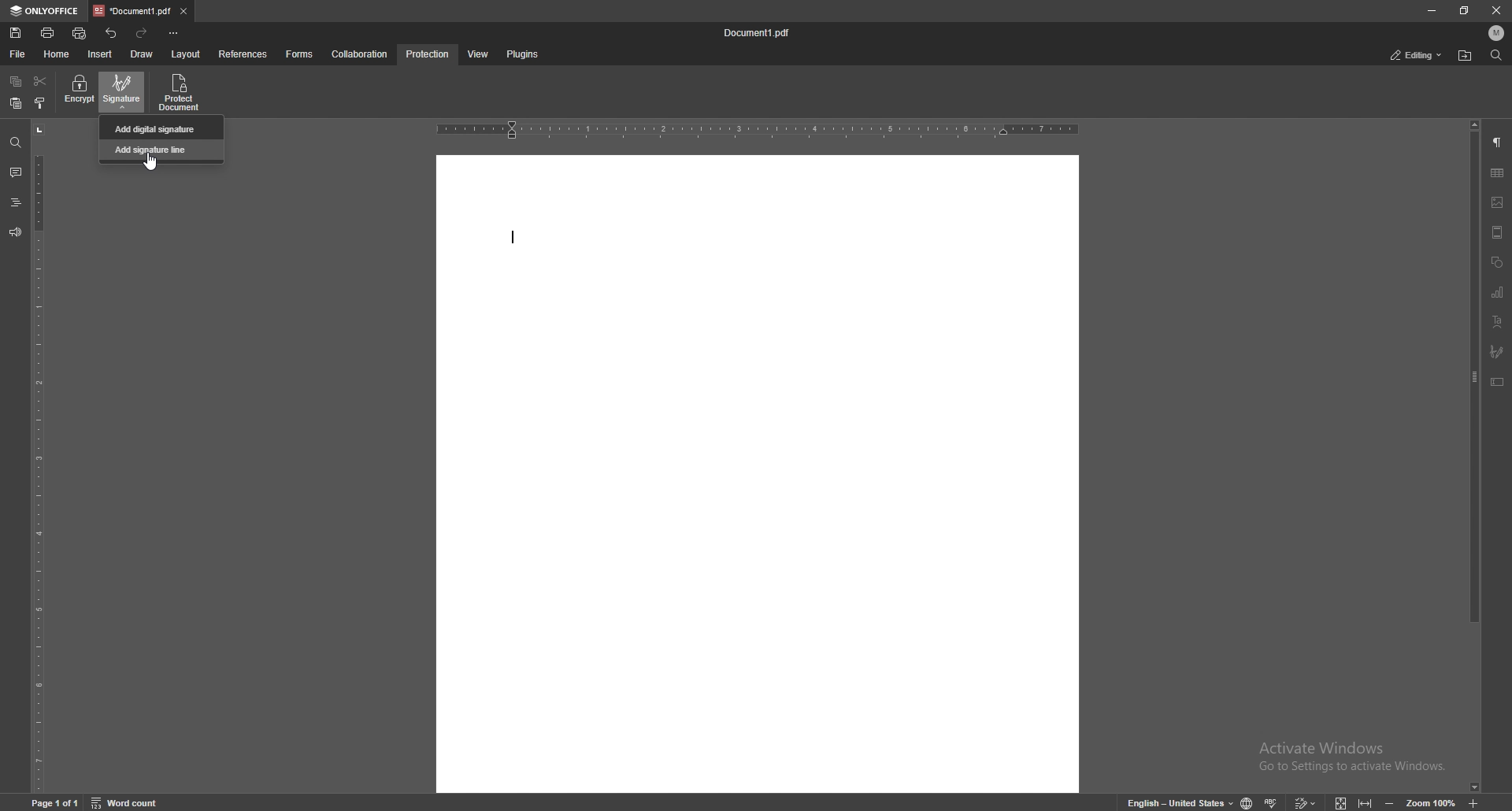 Image resolution: width=1512 pixels, height=811 pixels. I want to click on text art, so click(1497, 323).